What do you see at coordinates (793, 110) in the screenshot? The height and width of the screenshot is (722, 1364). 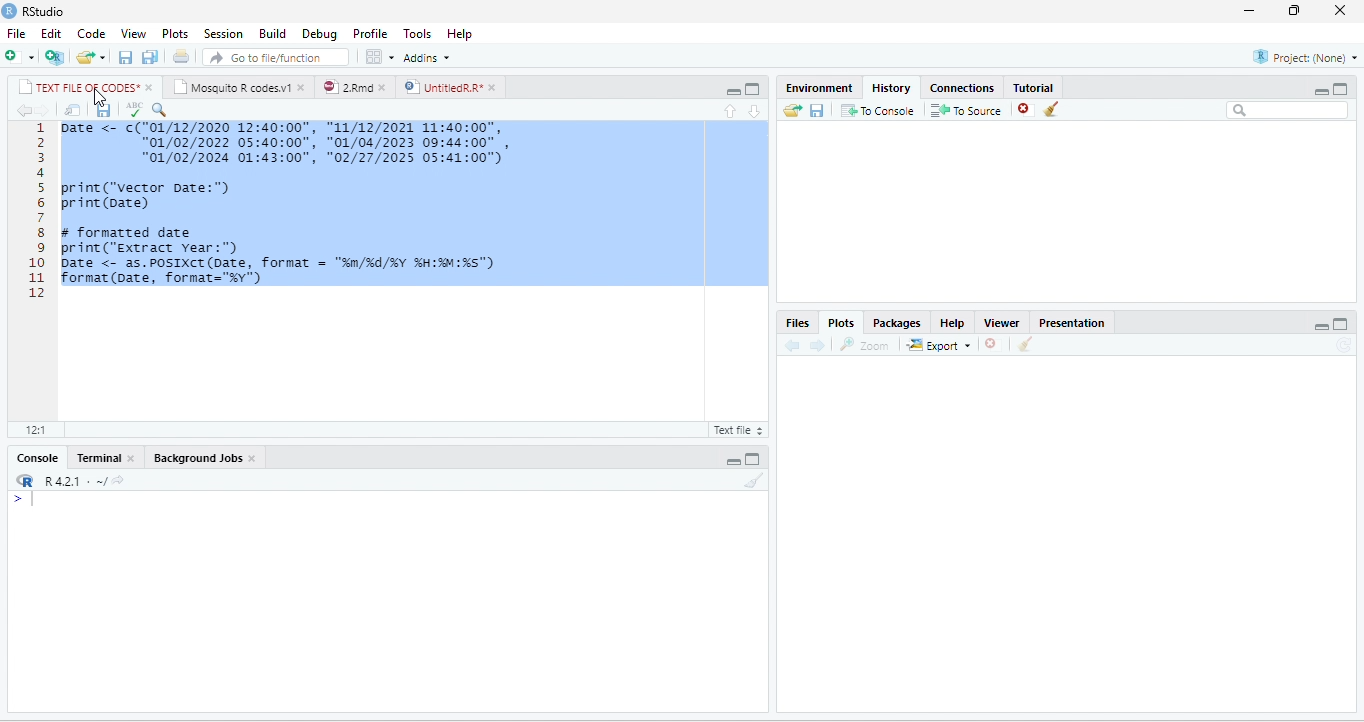 I see `open folder` at bounding box center [793, 110].